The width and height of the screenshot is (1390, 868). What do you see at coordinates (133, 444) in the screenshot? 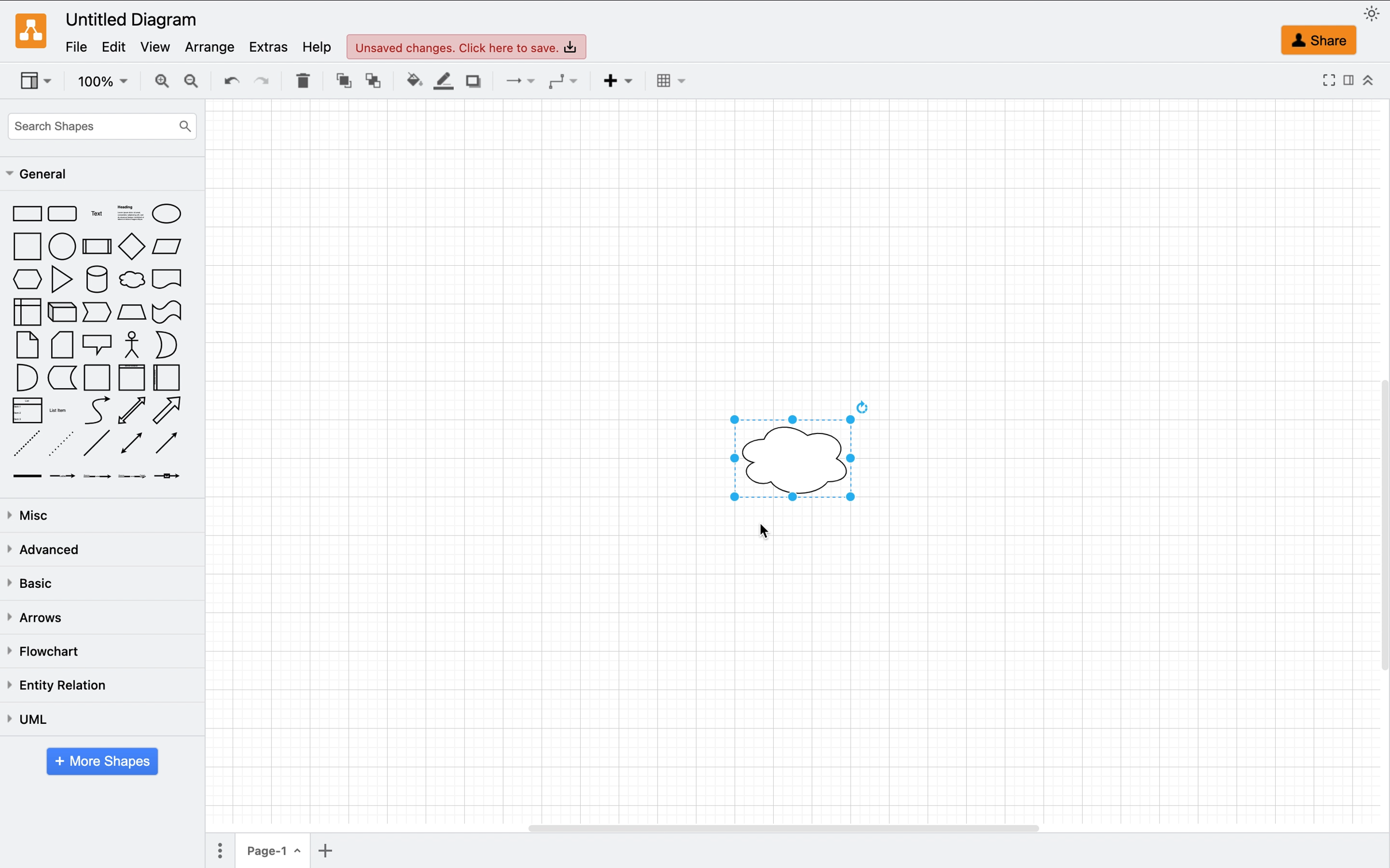
I see `bidirectional connector` at bounding box center [133, 444].